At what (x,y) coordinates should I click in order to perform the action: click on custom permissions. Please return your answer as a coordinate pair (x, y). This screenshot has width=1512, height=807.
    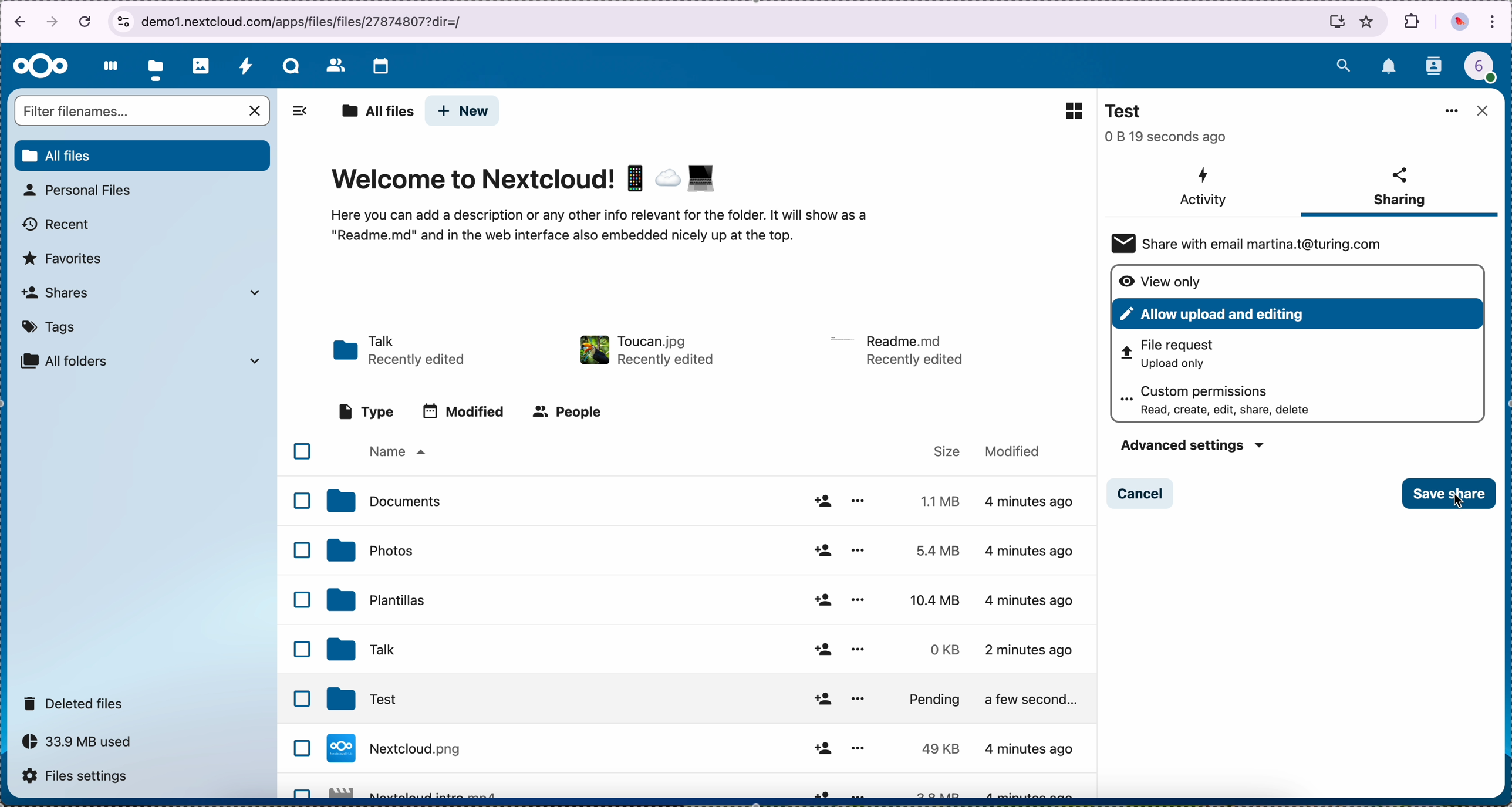
    Looking at the image, I should click on (1227, 400).